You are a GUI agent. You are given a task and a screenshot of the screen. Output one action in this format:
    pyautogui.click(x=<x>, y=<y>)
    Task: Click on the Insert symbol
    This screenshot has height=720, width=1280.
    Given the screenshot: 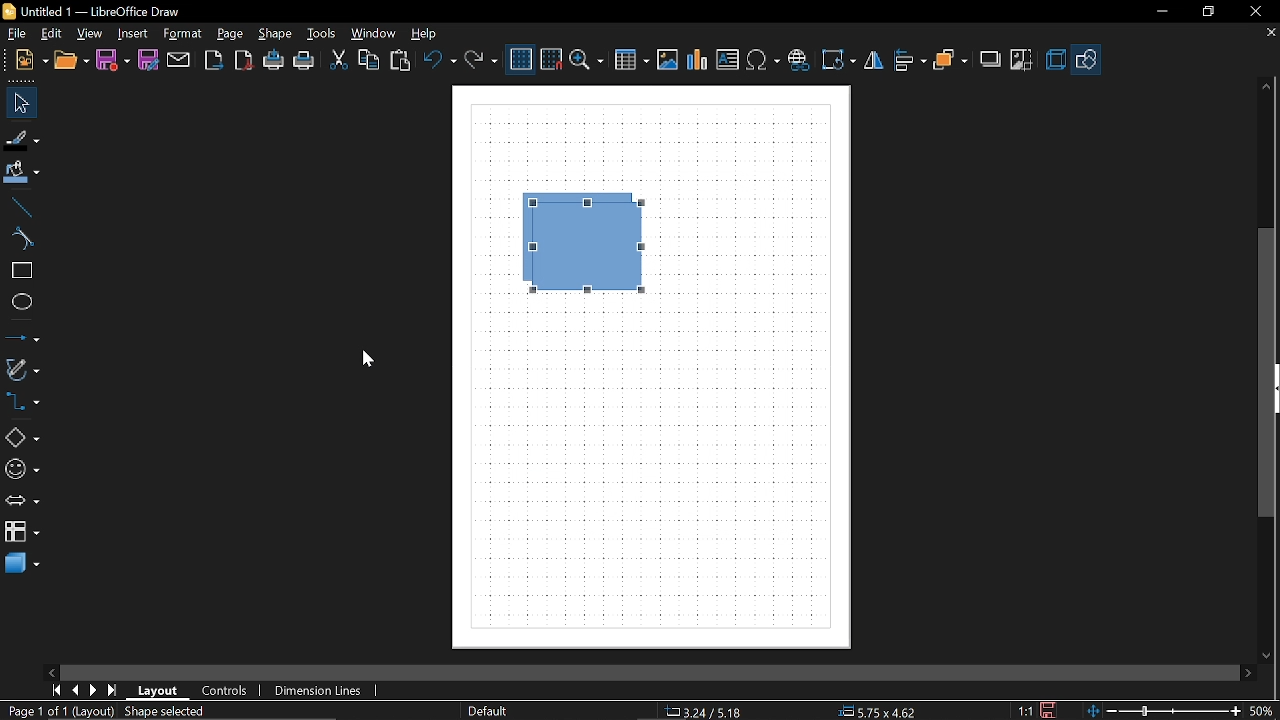 What is the action you would take?
    pyautogui.click(x=798, y=60)
    